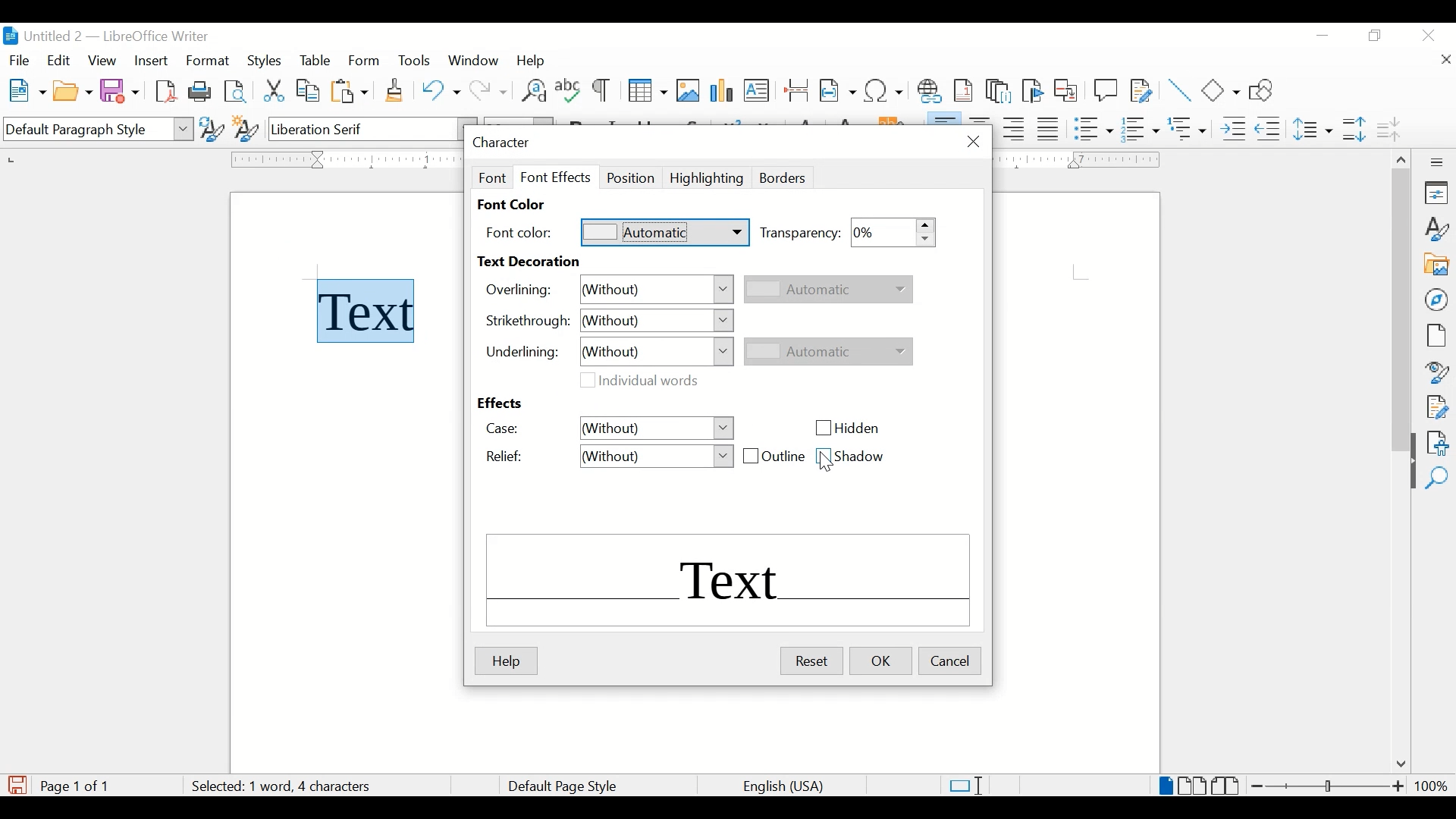  What do you see at coordinates (727, 581) in the screenshot?
I see `text` at bounding box center [727, 581].